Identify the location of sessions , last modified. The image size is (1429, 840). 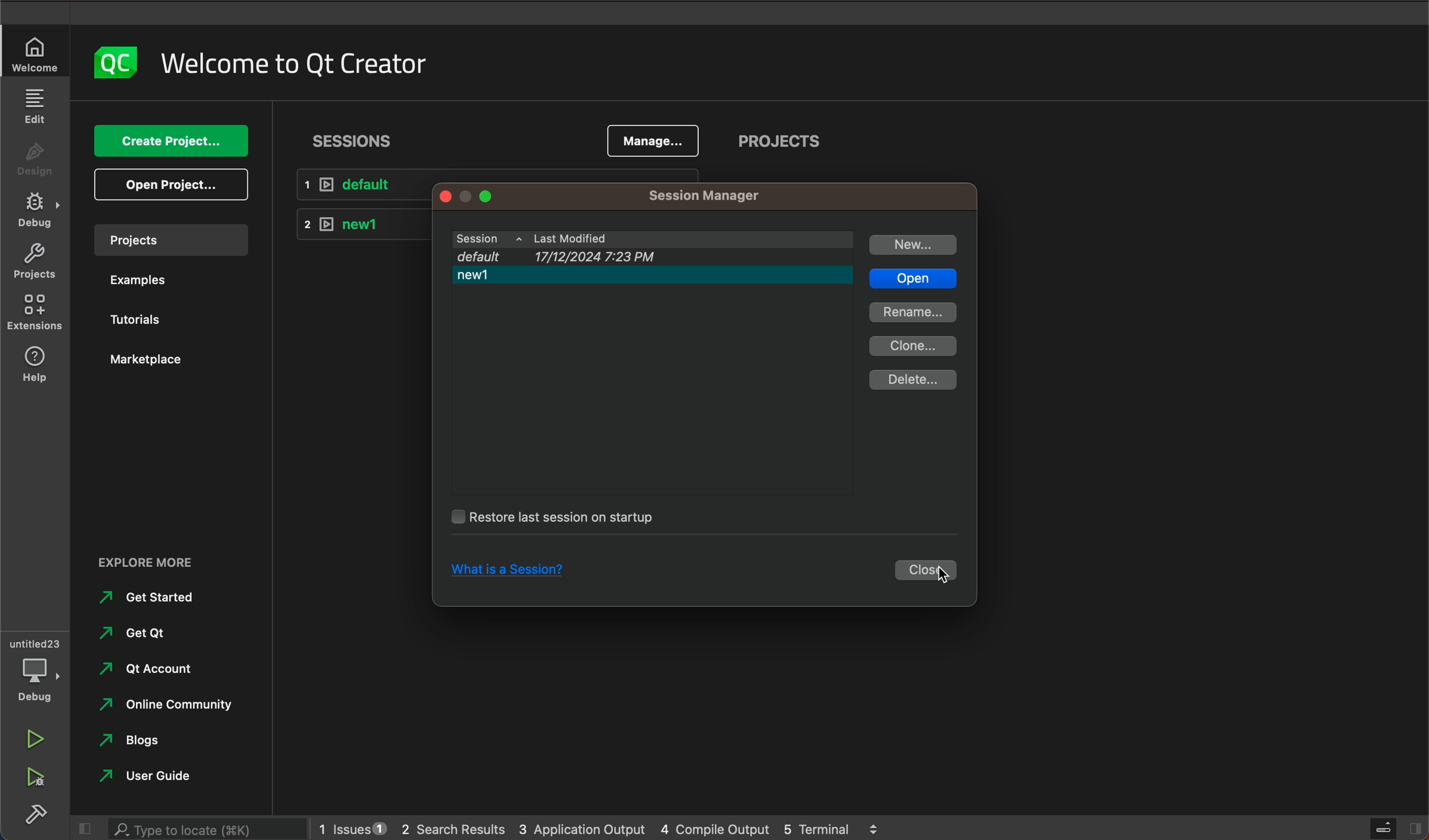
(652, 239).